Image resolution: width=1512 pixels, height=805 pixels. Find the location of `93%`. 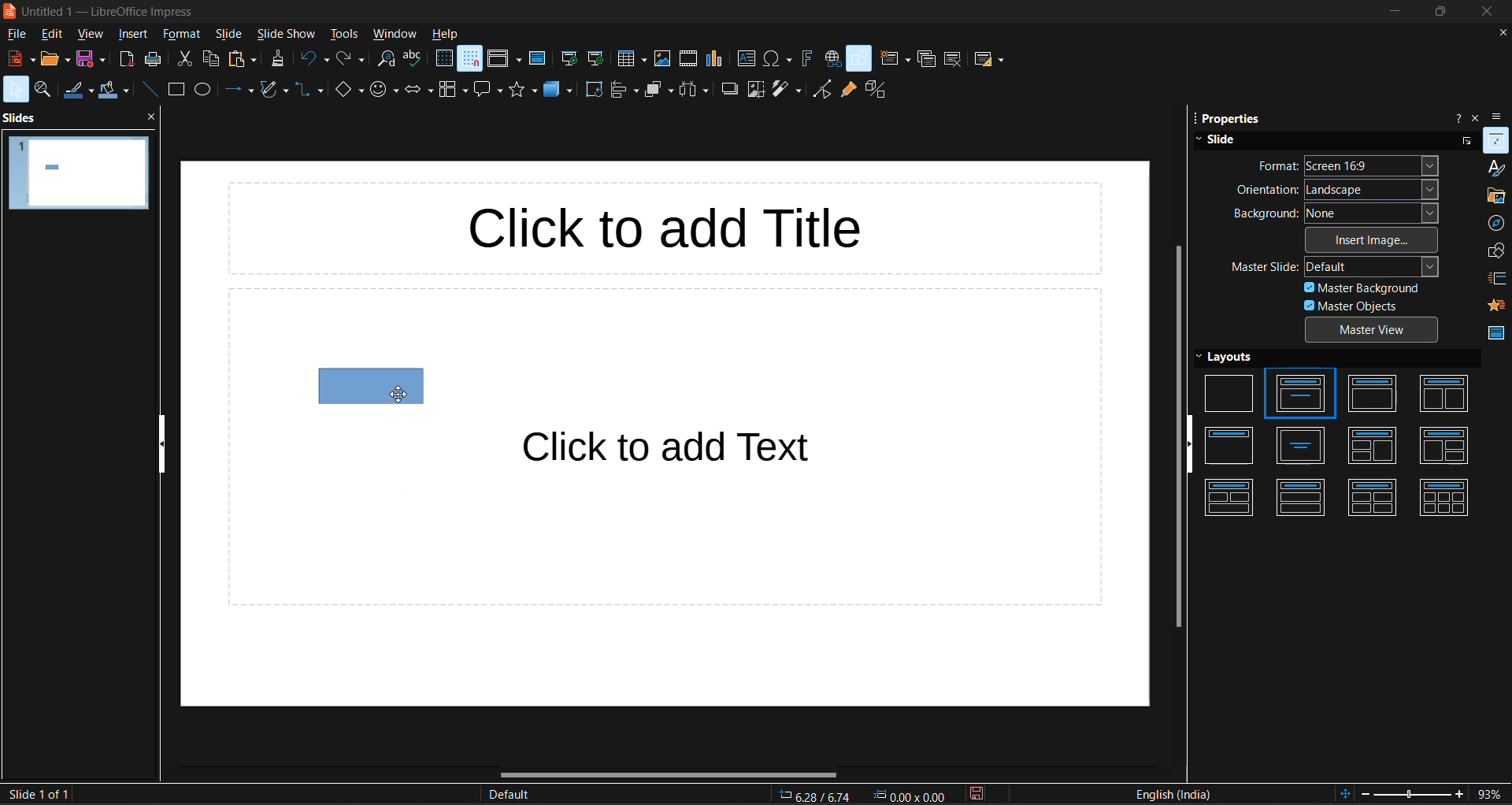

93% is located at coordinates (1492, 796).